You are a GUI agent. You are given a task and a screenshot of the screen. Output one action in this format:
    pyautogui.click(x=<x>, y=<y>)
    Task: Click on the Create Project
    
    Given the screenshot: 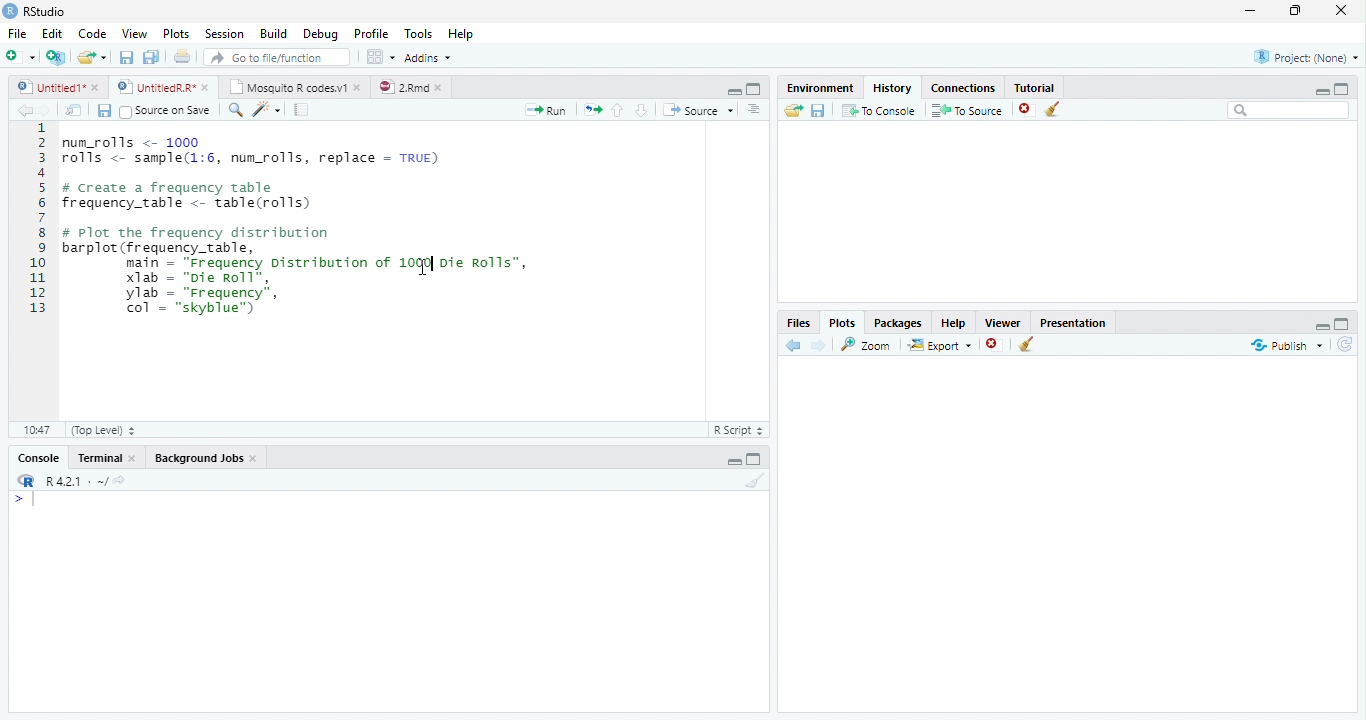 What is the action you would take?
    pyautogui.click(x=56, y=58)
    